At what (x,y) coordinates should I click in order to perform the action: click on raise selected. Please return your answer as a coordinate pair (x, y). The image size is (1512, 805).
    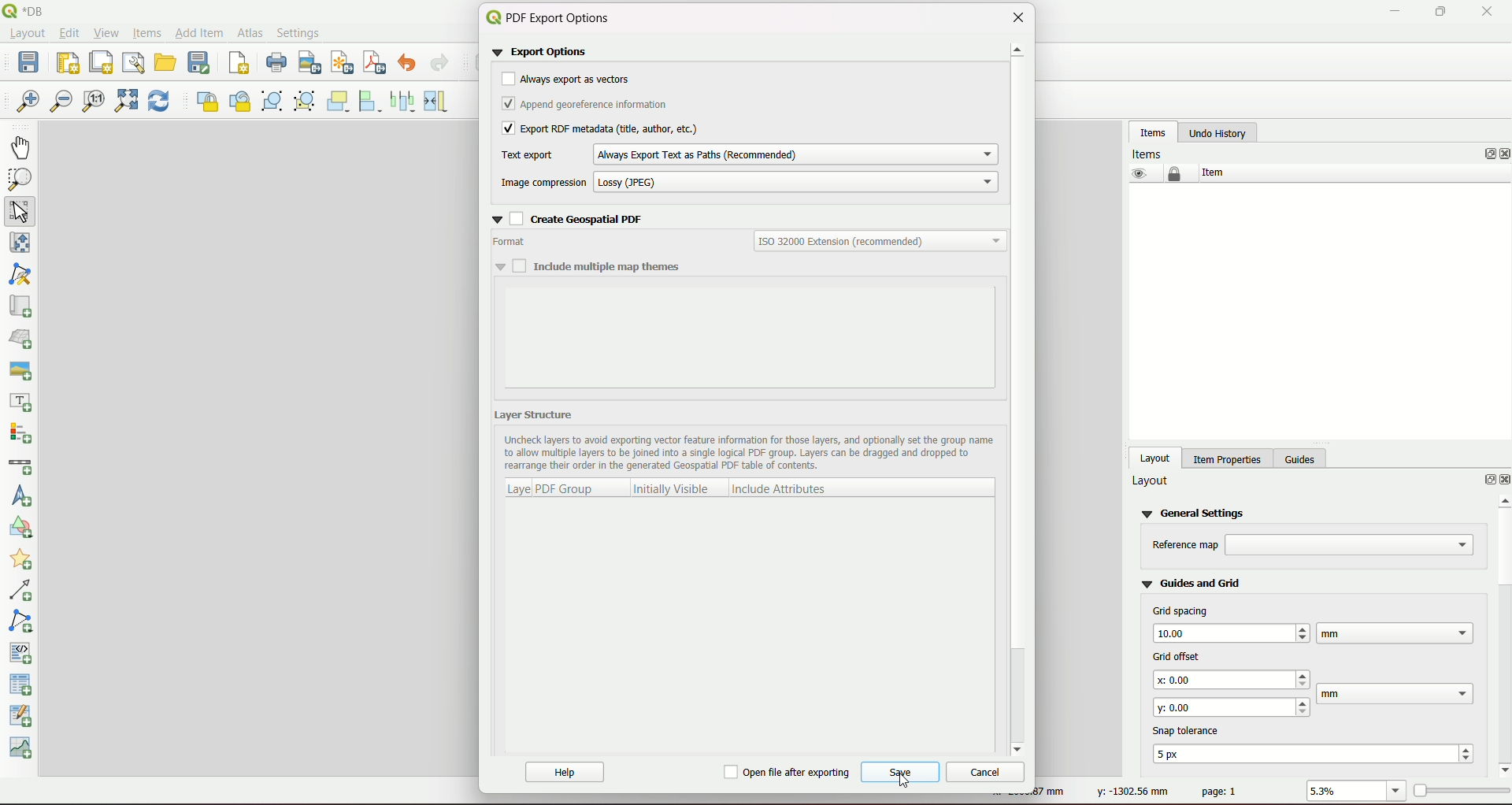
    Looking at the image, I should click on (340, 101).